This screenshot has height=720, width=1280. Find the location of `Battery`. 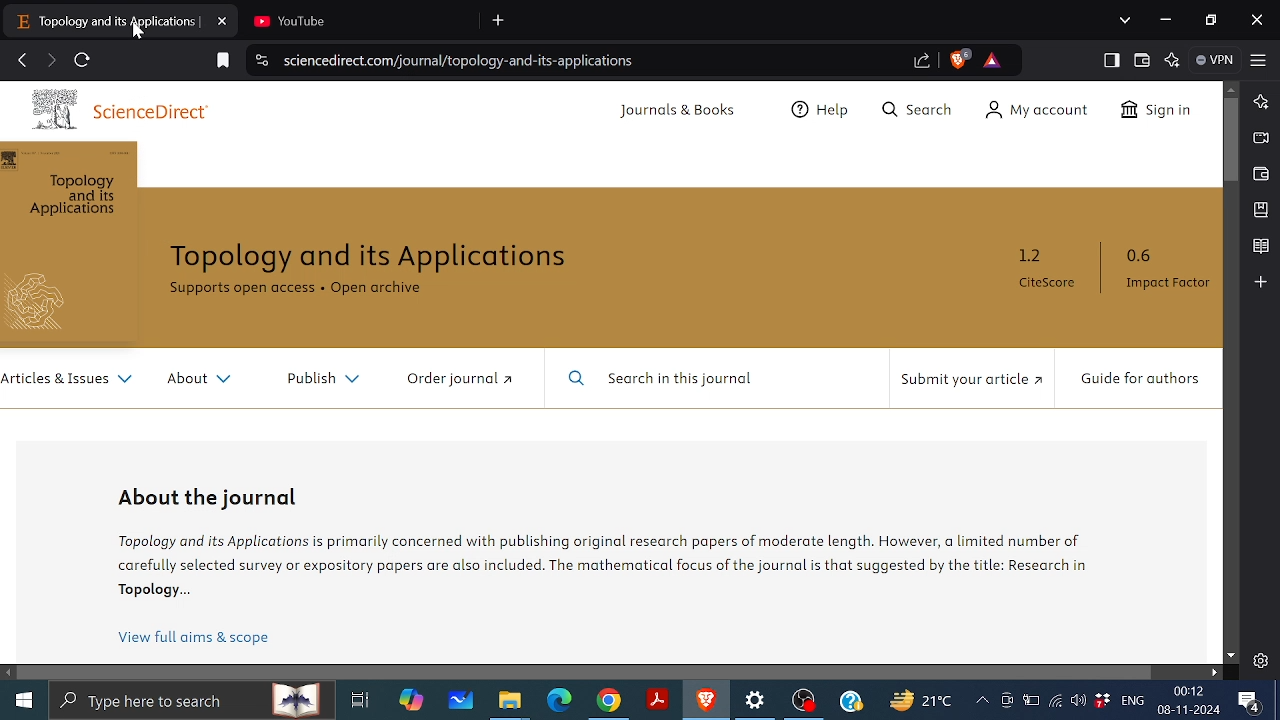

Battery is located at coordinates (1031, 699).